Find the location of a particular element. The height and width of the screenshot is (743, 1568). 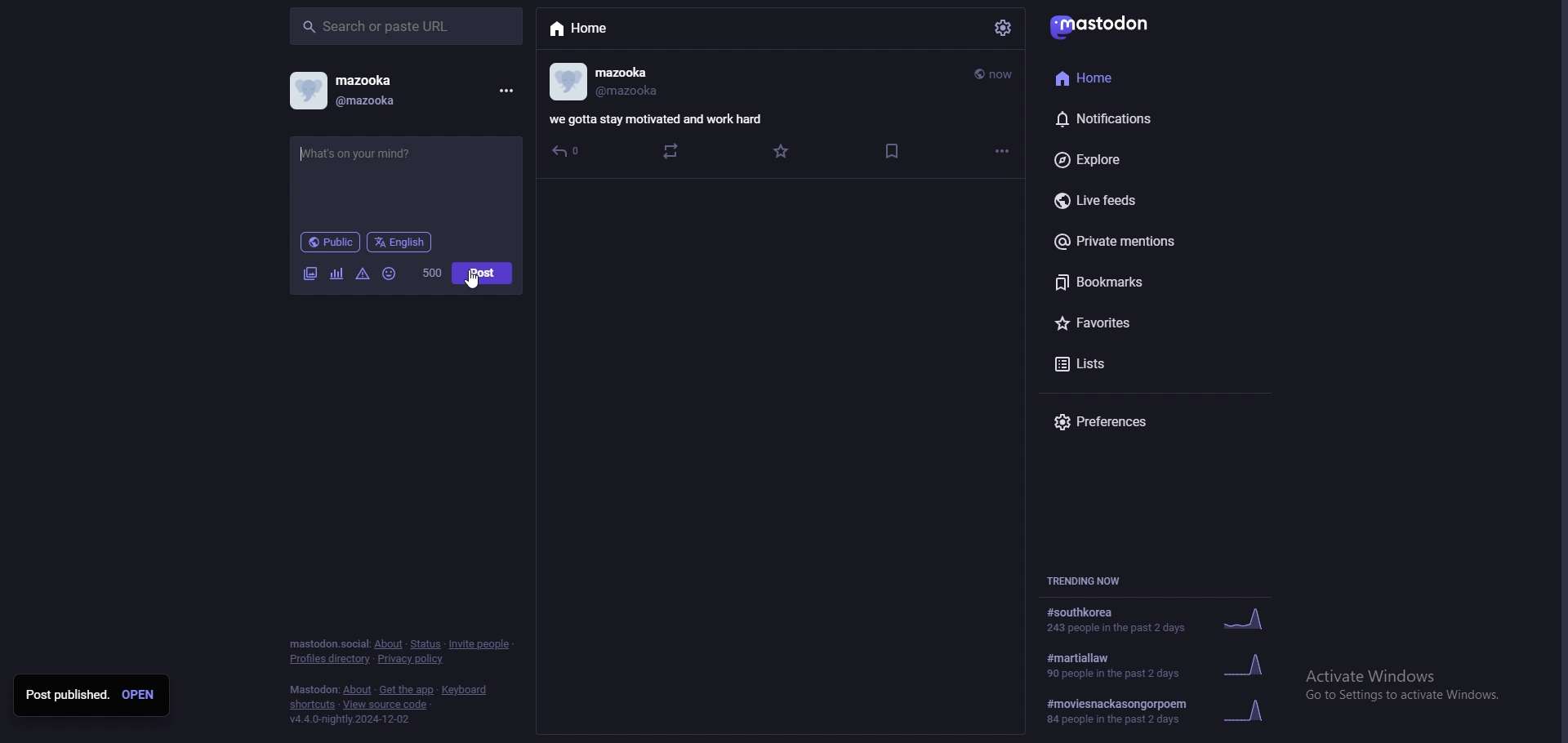

@mazooka is located at coordinates (393, 103).